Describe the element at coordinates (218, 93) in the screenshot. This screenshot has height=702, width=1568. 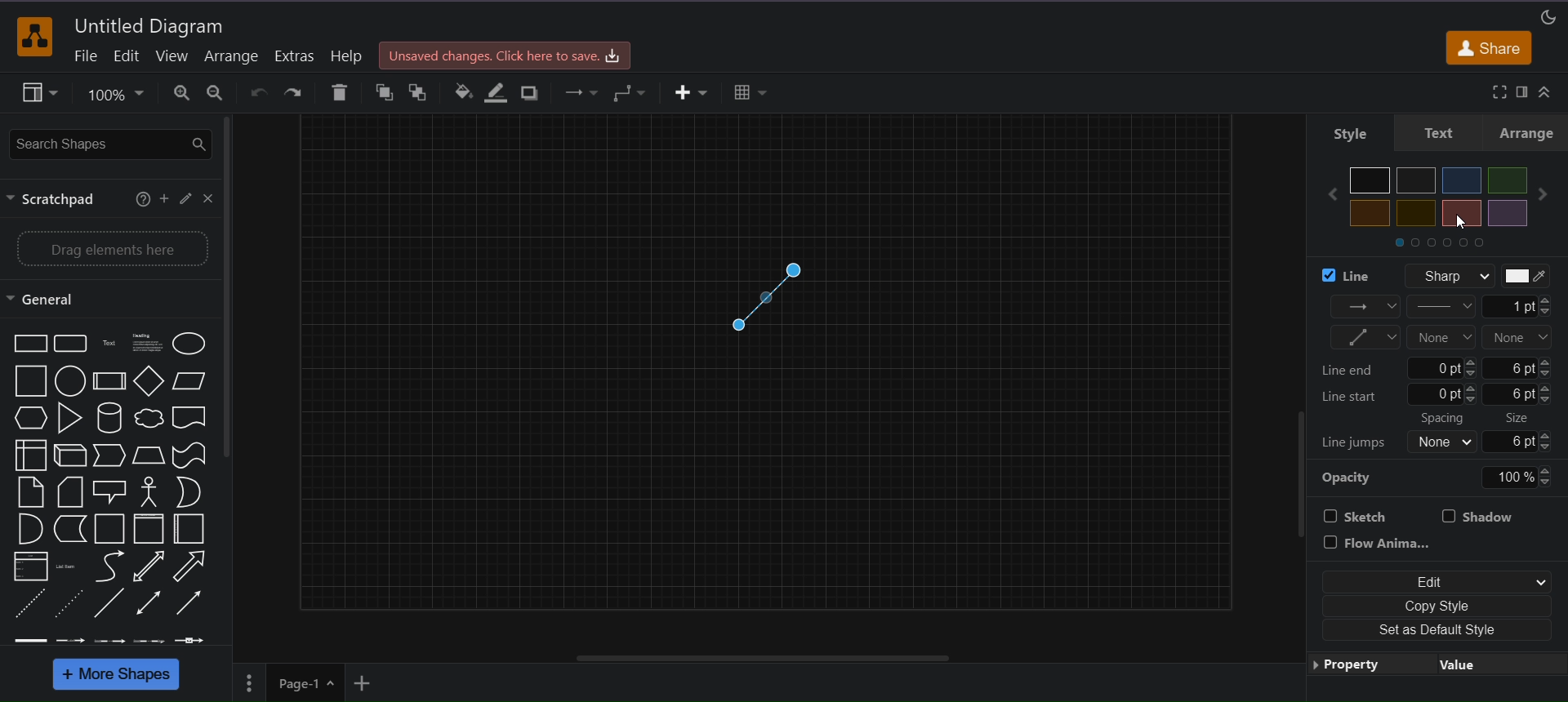
I see `zoom out` at that location.